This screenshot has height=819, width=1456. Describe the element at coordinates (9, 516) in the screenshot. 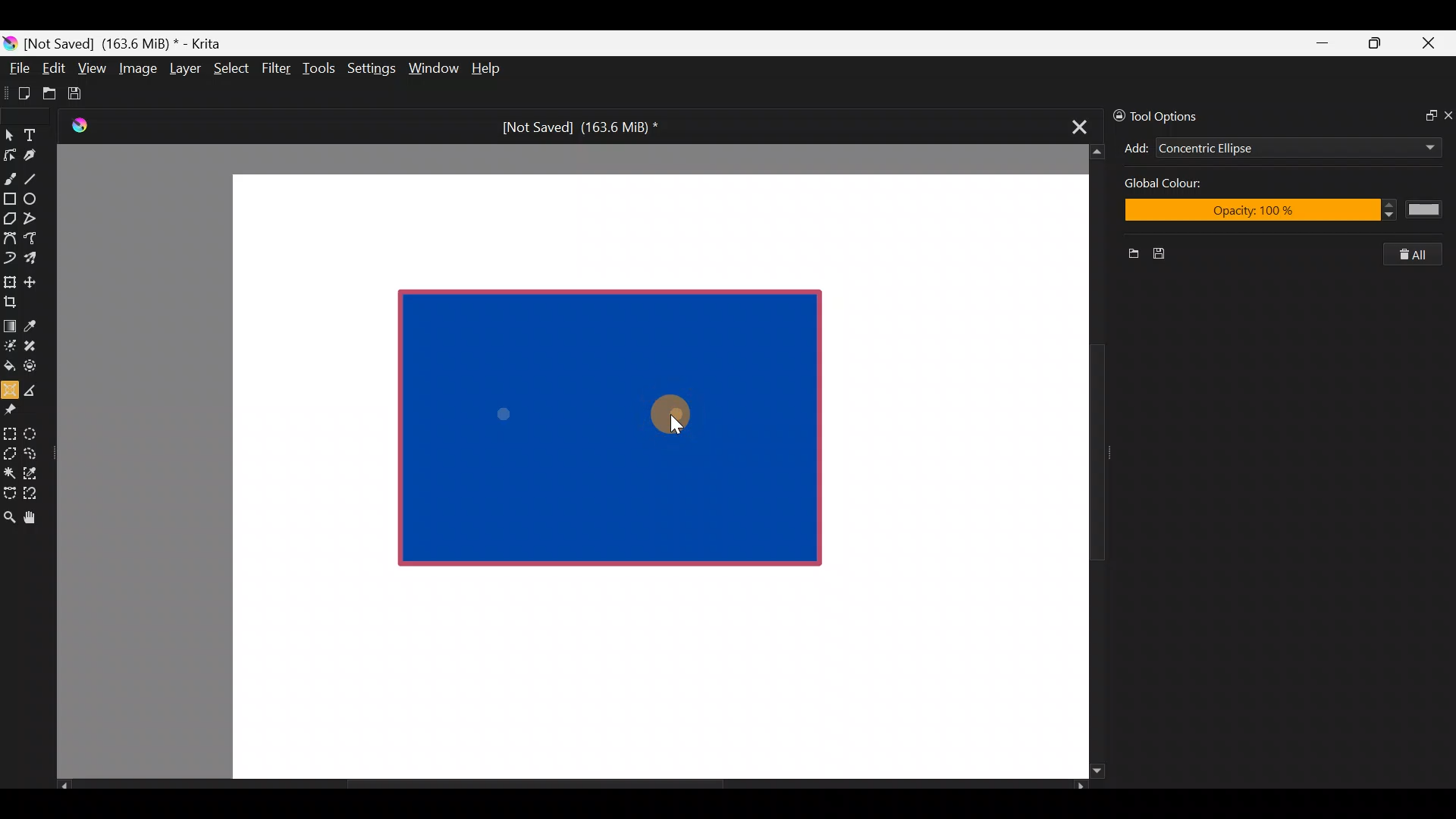

I see `Zoom tool` at that location.